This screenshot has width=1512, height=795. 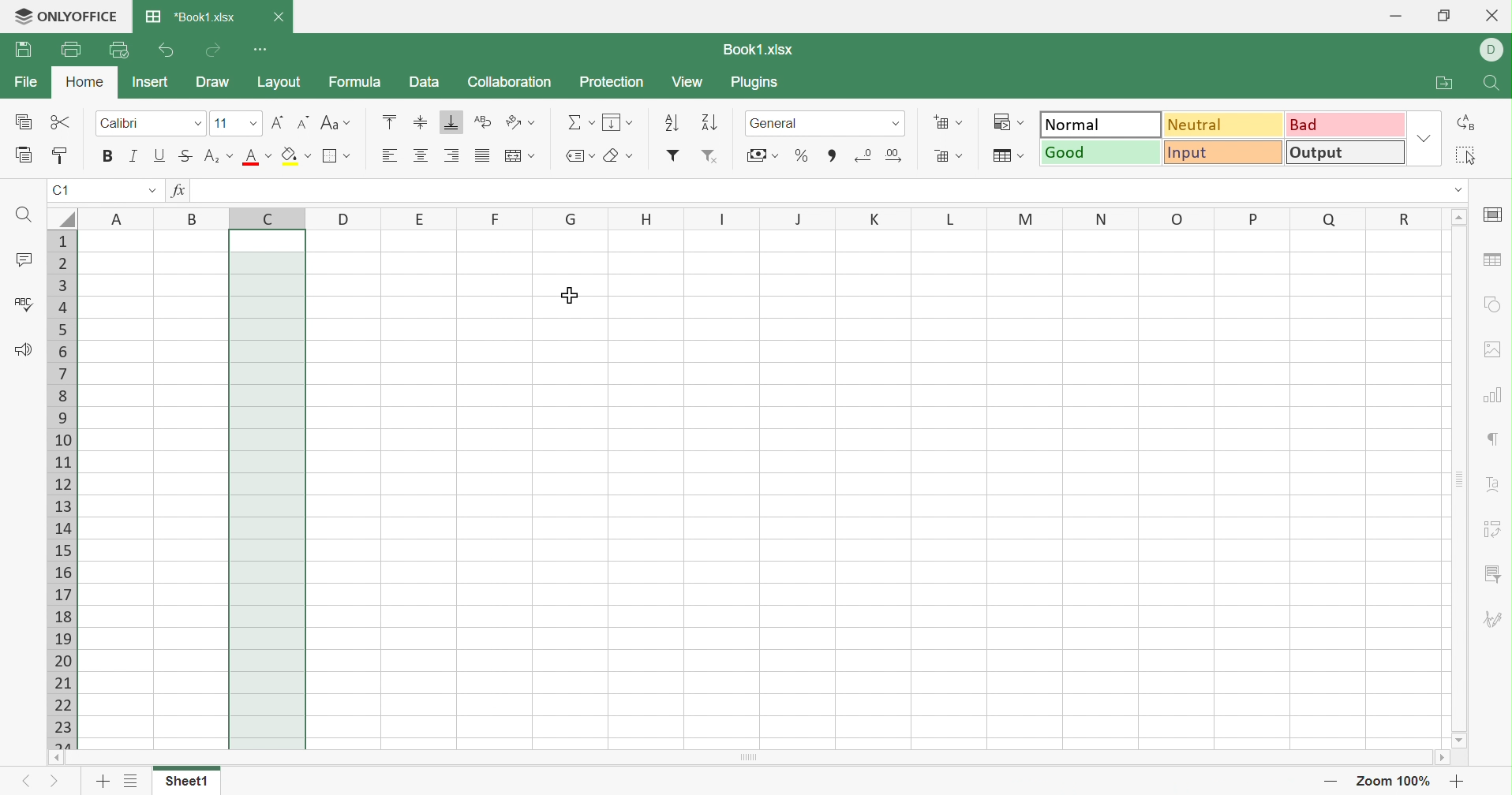 What do you see at coordinates (1494, 487) in the screenshot?
I see `Text Art settings` at bounding box center [1494, 487].